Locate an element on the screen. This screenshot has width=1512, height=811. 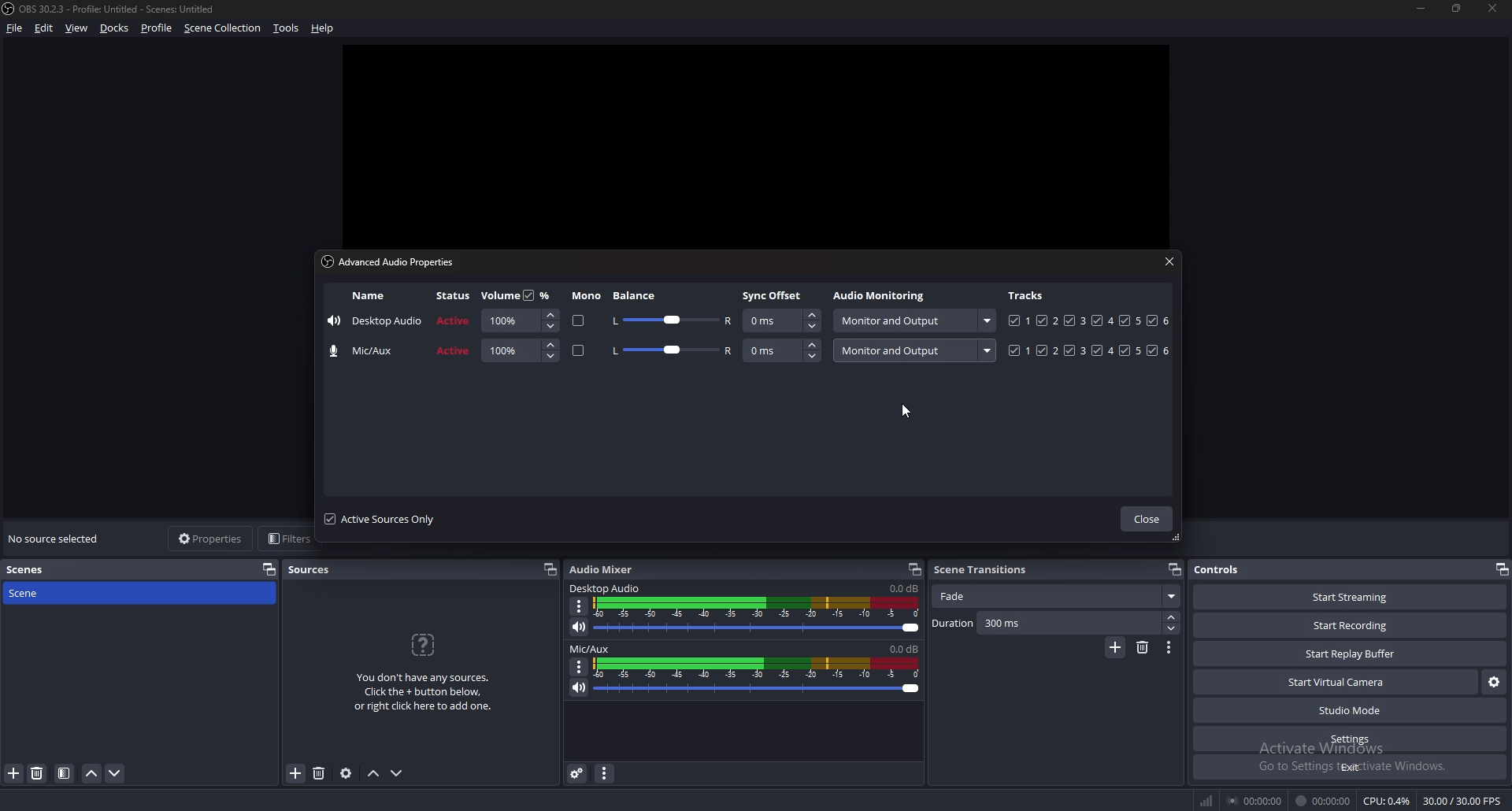
increase duration is located at coordinates (1171, 617).